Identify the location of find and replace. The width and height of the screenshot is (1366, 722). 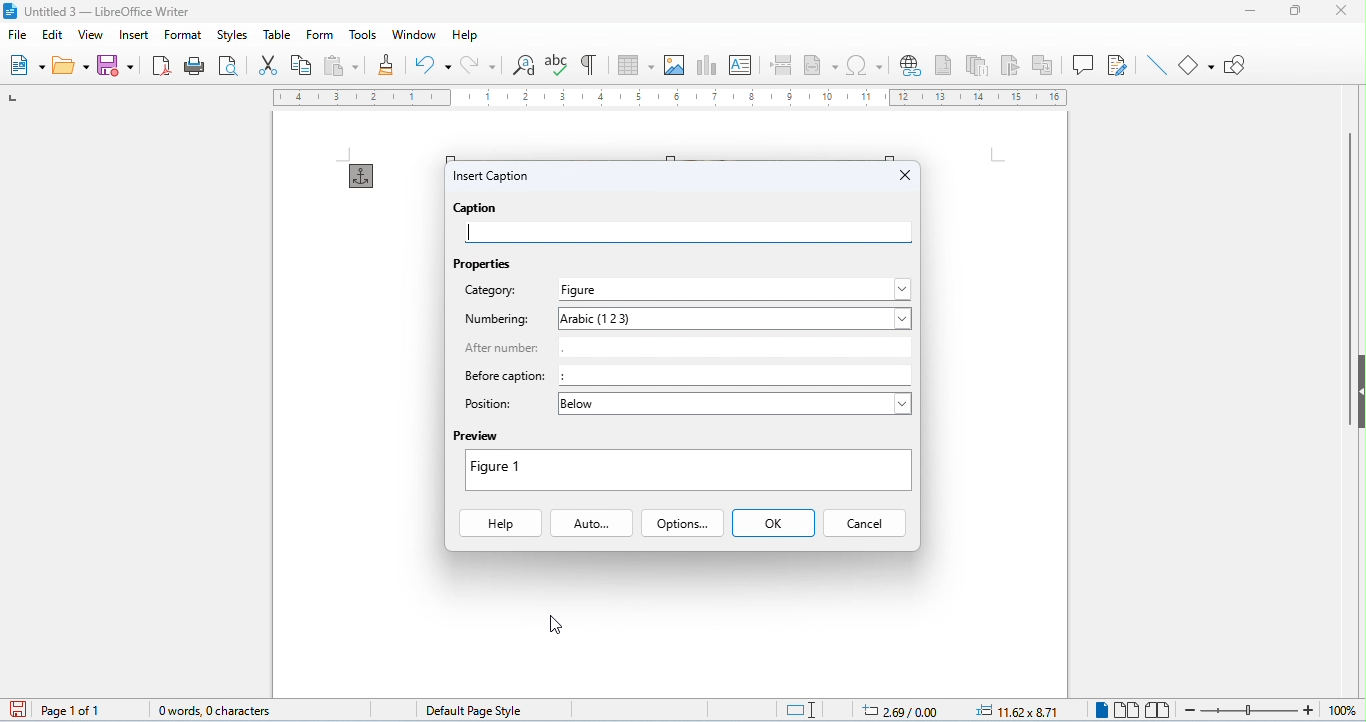
(523, 67).